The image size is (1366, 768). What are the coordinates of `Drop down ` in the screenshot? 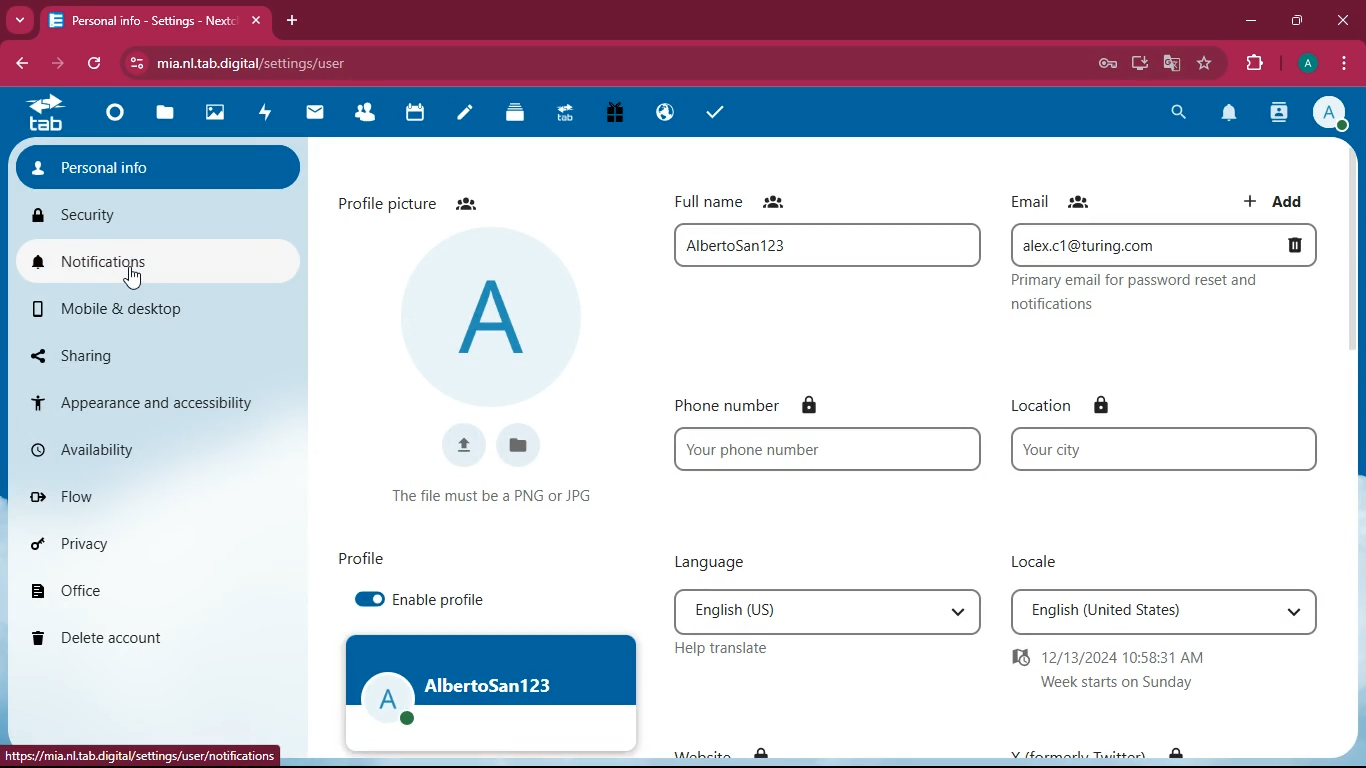 It's located at (1289, 611).